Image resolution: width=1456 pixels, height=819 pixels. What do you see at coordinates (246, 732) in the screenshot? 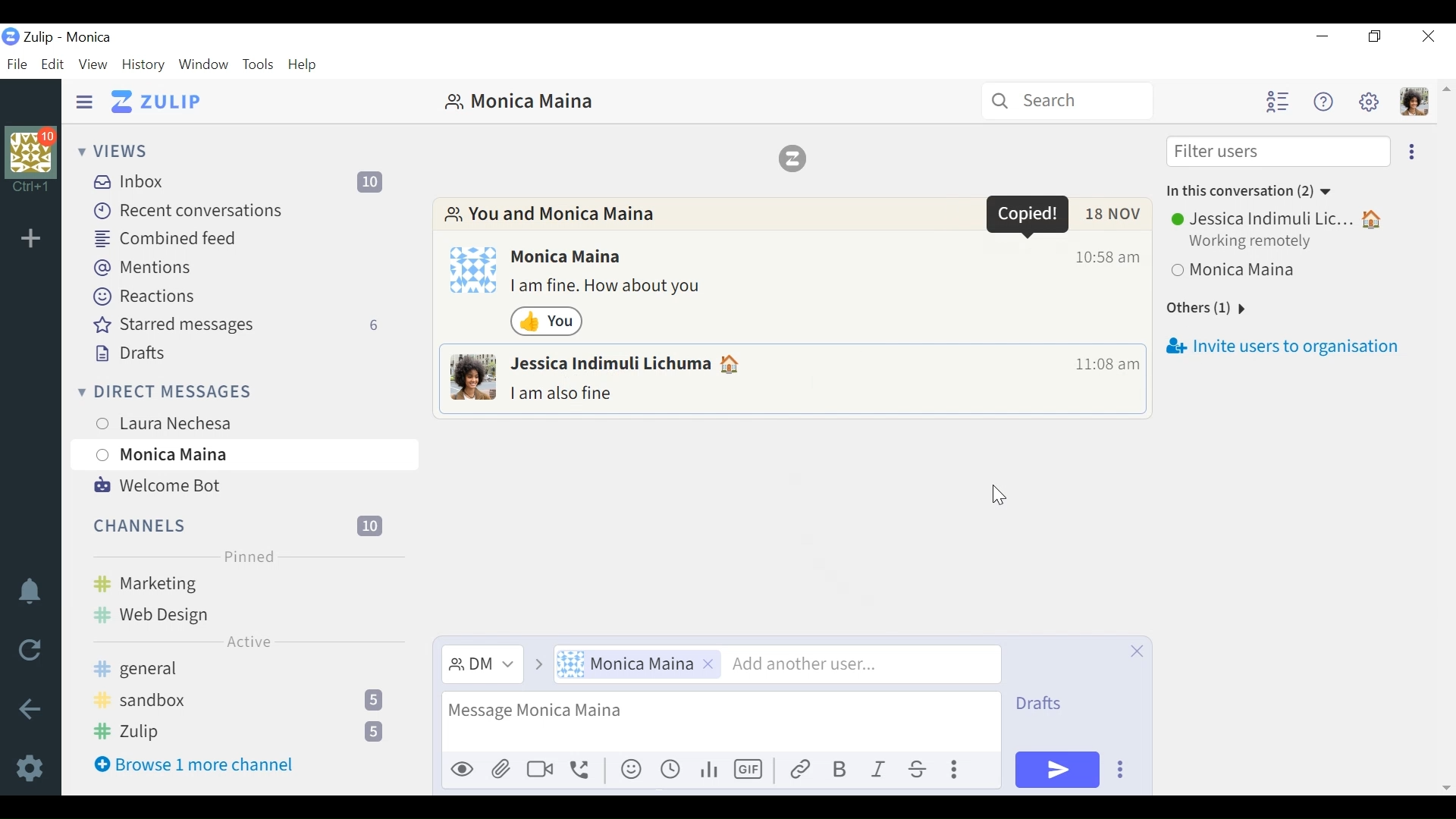
I see `Zulip` at bounding box center [246, 732].